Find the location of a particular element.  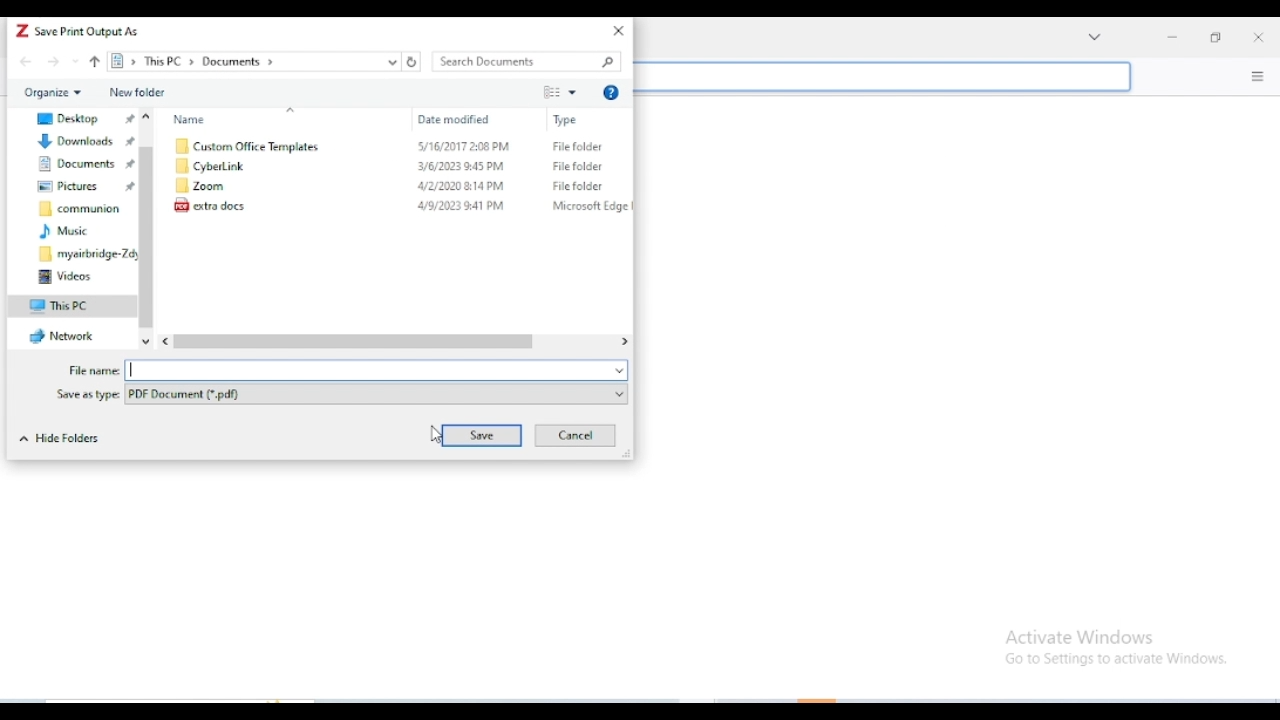

search documents is located at coordinates (526, 62).